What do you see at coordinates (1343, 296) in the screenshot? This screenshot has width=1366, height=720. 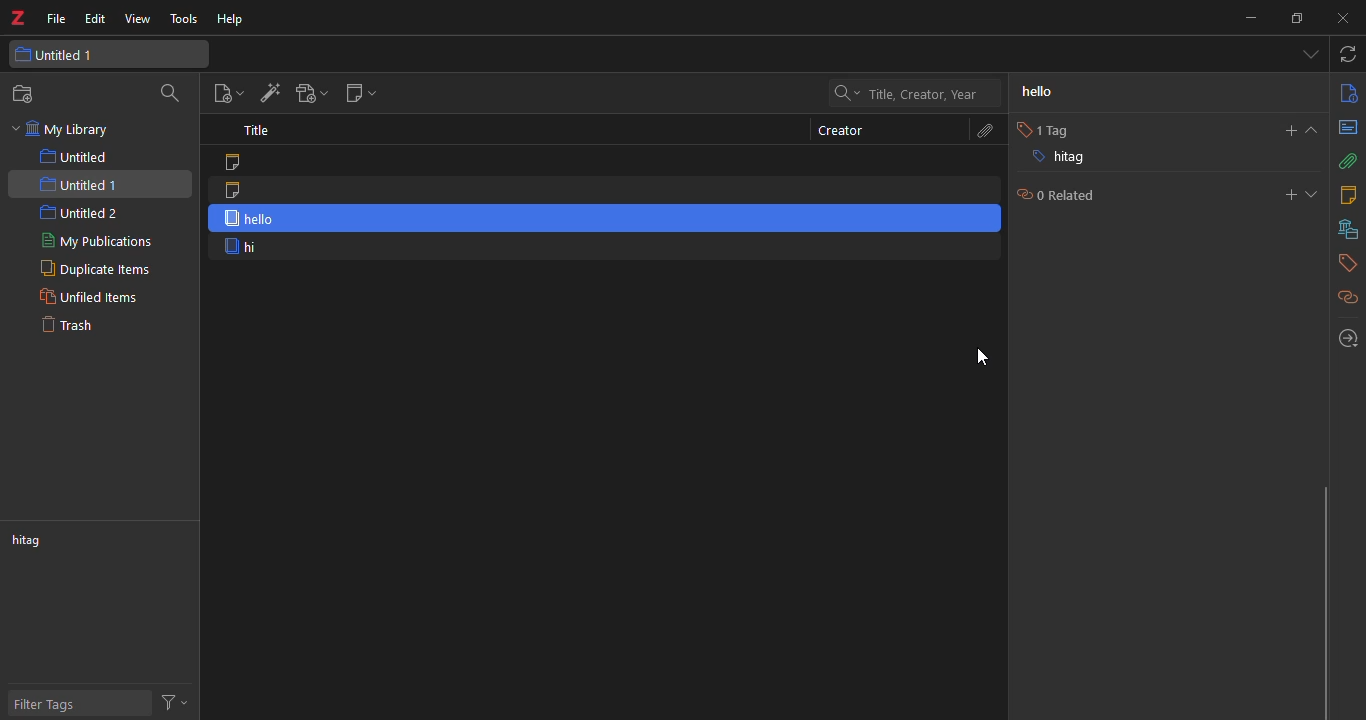 I see `related` at bounding box center [1343, 296].